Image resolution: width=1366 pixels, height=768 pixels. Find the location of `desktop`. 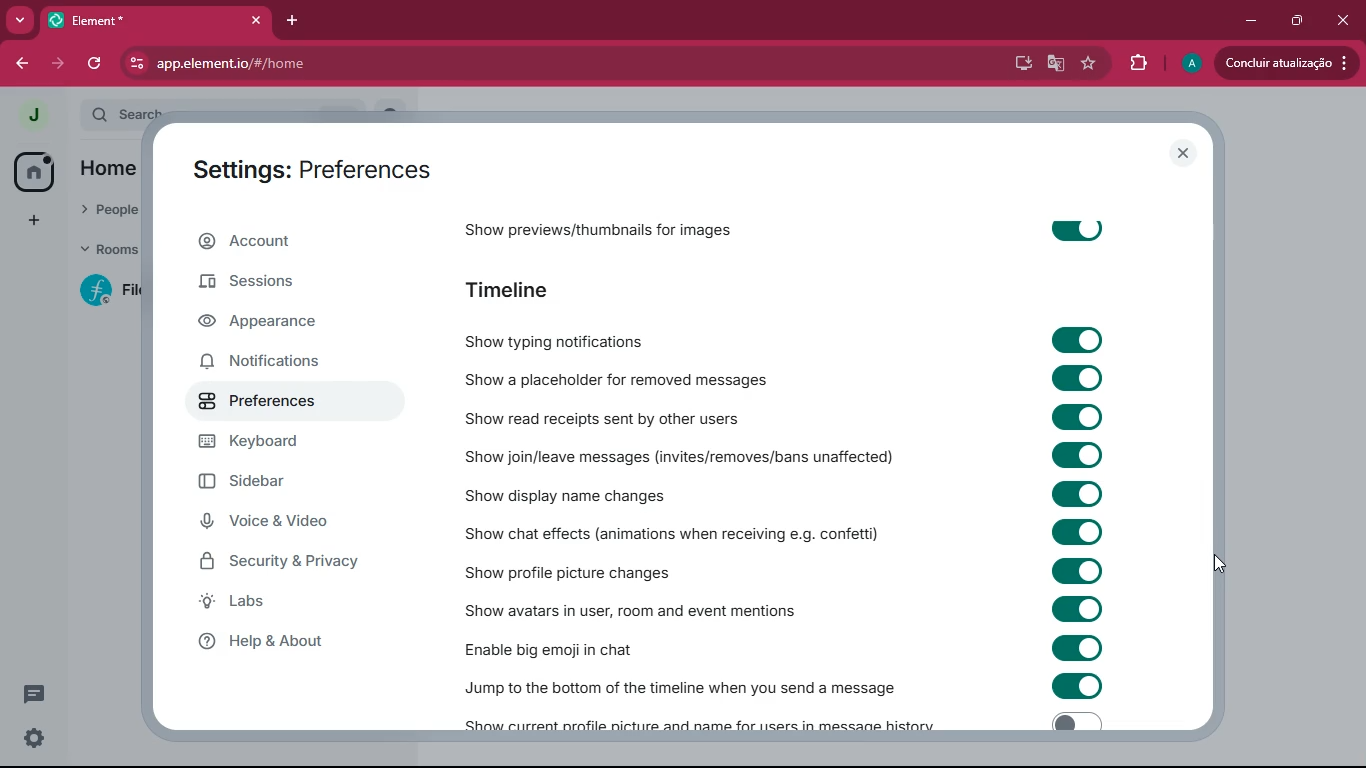

desktop is located at coordinates (1021, 64).